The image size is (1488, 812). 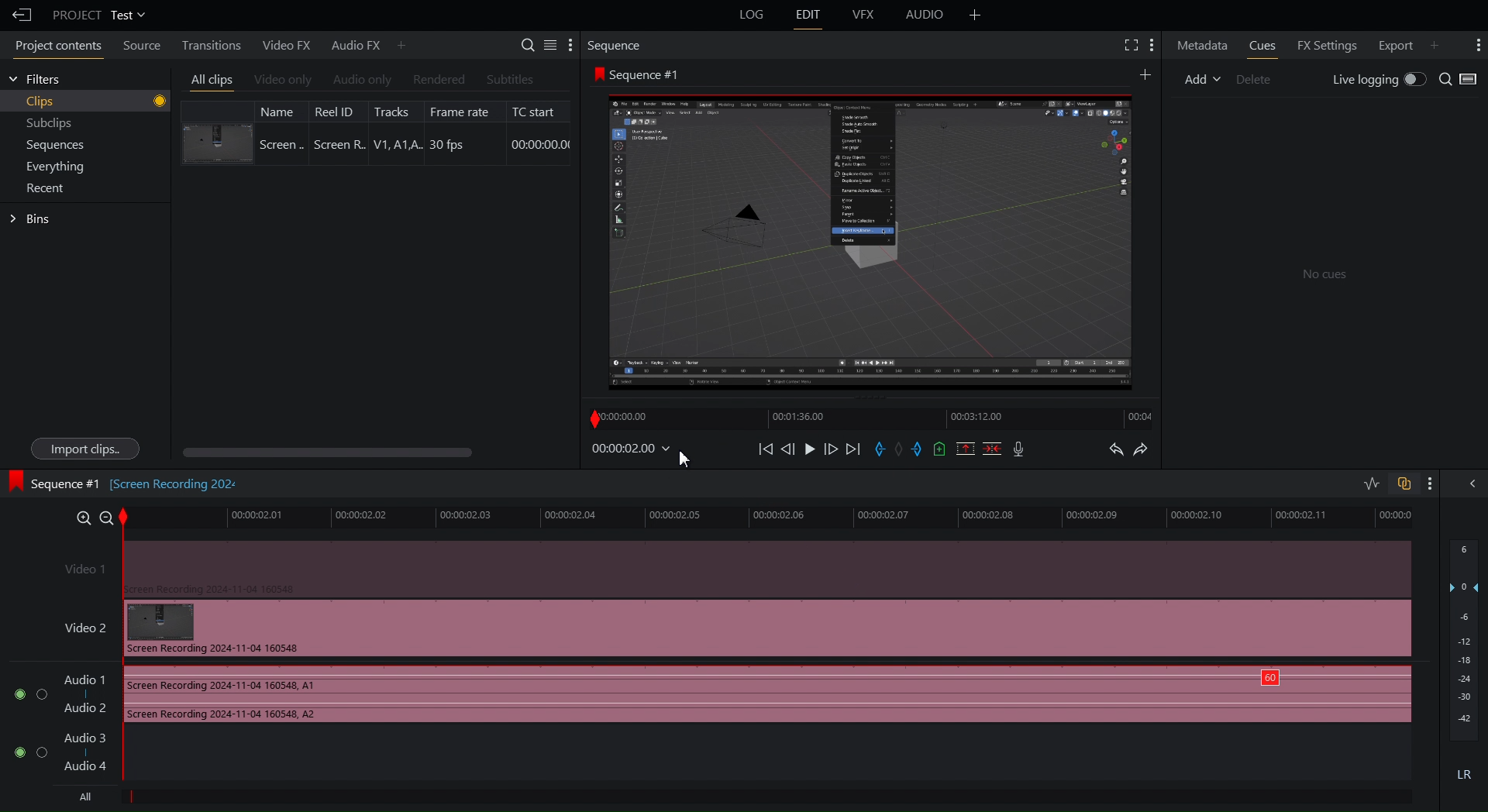 I want to click on Log , so click(x=749, y=15).